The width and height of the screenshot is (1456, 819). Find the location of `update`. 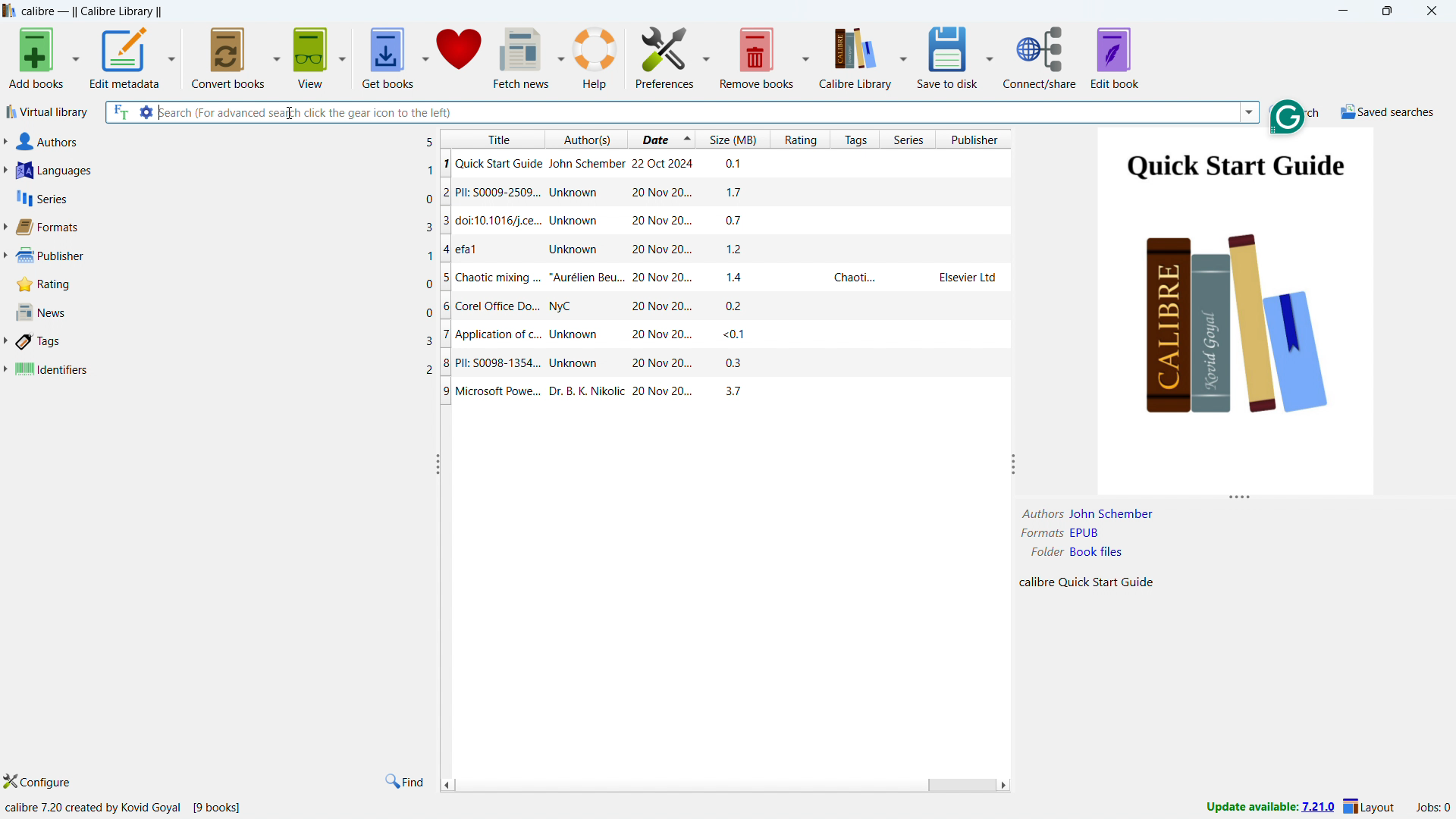

update is located at coordinates (1269, 808).